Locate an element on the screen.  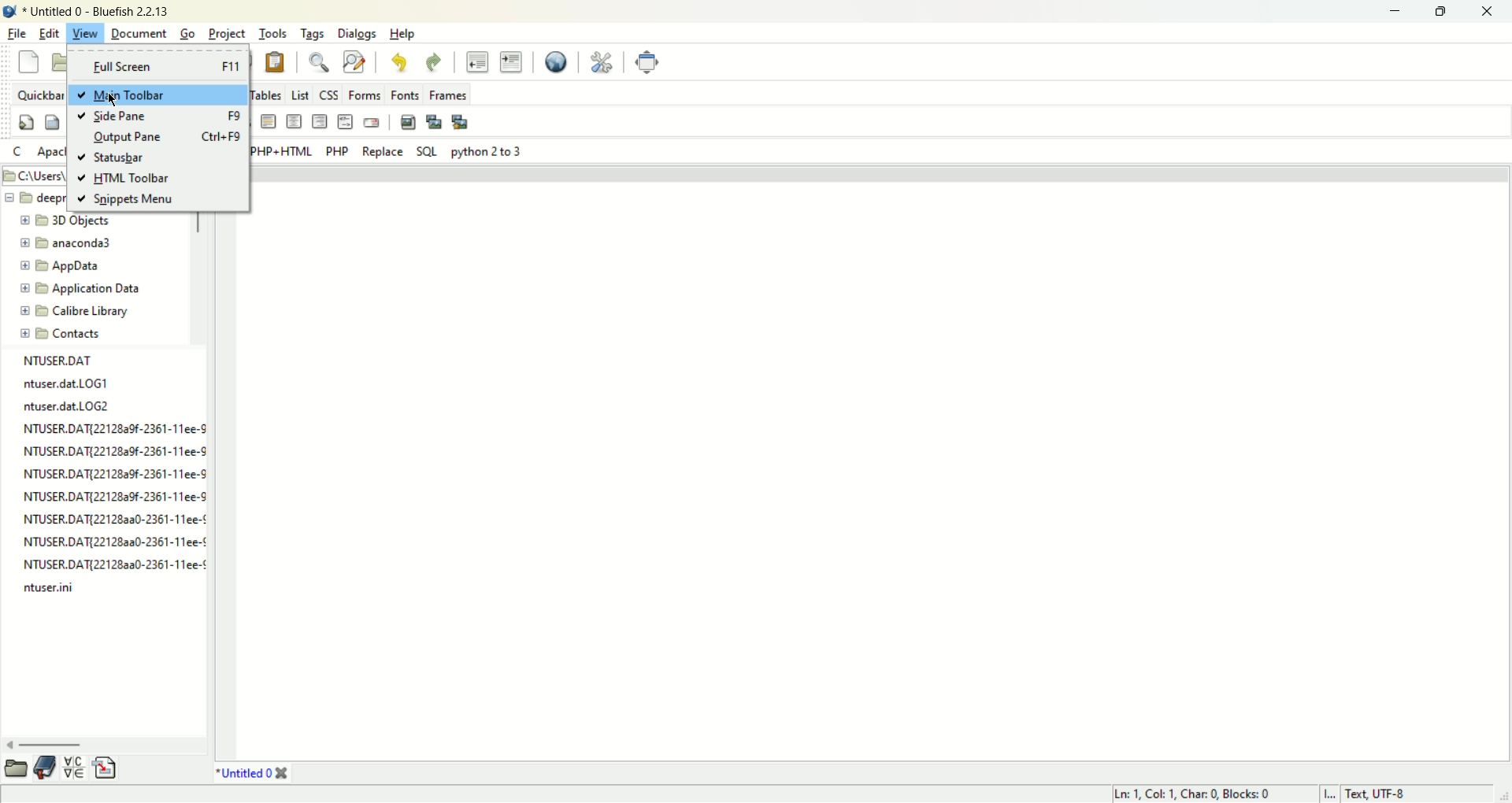
full screen is located at coordinates (646, 62).